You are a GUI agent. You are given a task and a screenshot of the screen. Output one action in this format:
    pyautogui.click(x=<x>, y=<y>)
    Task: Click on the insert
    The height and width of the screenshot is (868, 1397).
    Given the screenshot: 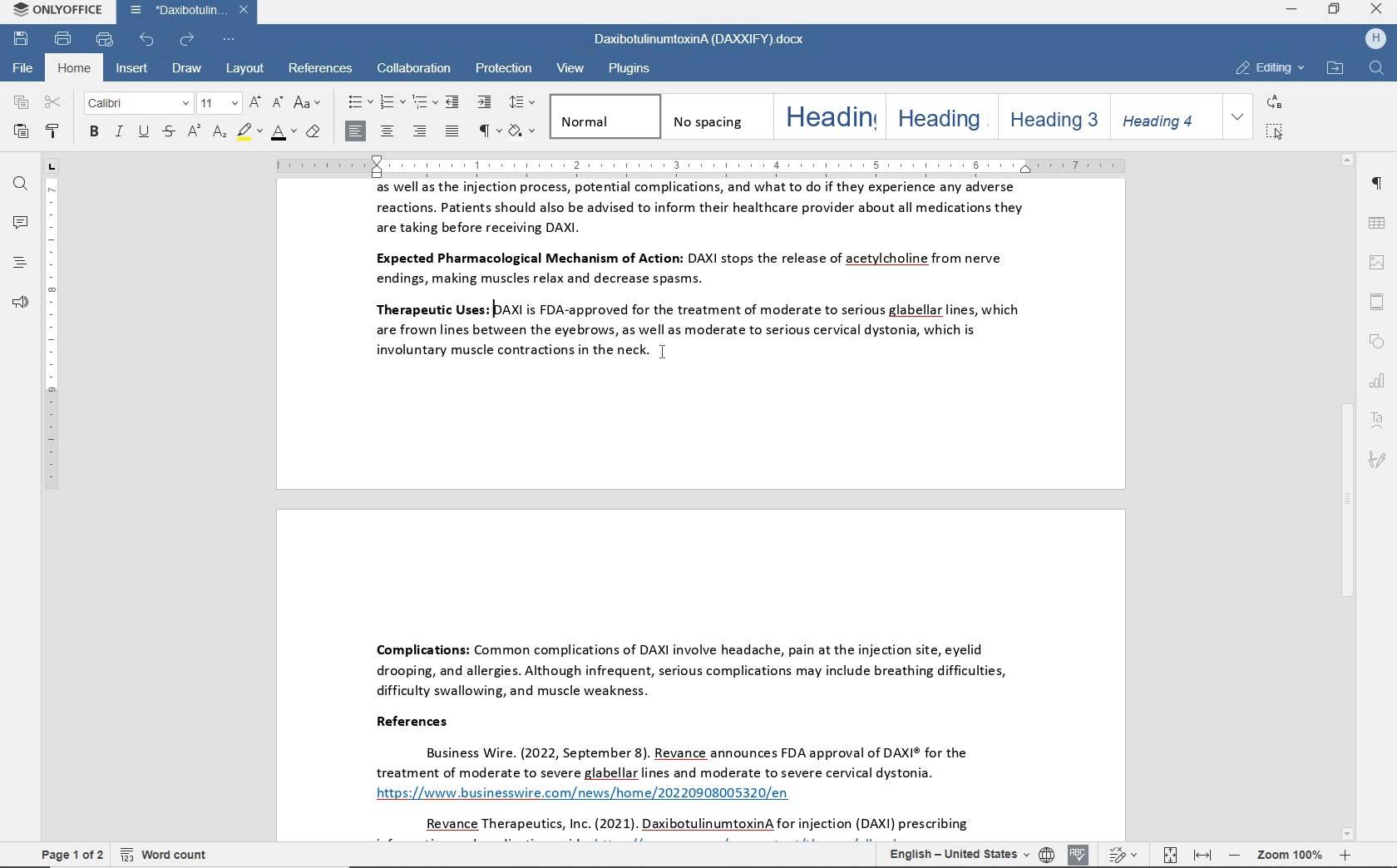 What is the action you would take?
    pyautogui.click(x=134, y=69)
    